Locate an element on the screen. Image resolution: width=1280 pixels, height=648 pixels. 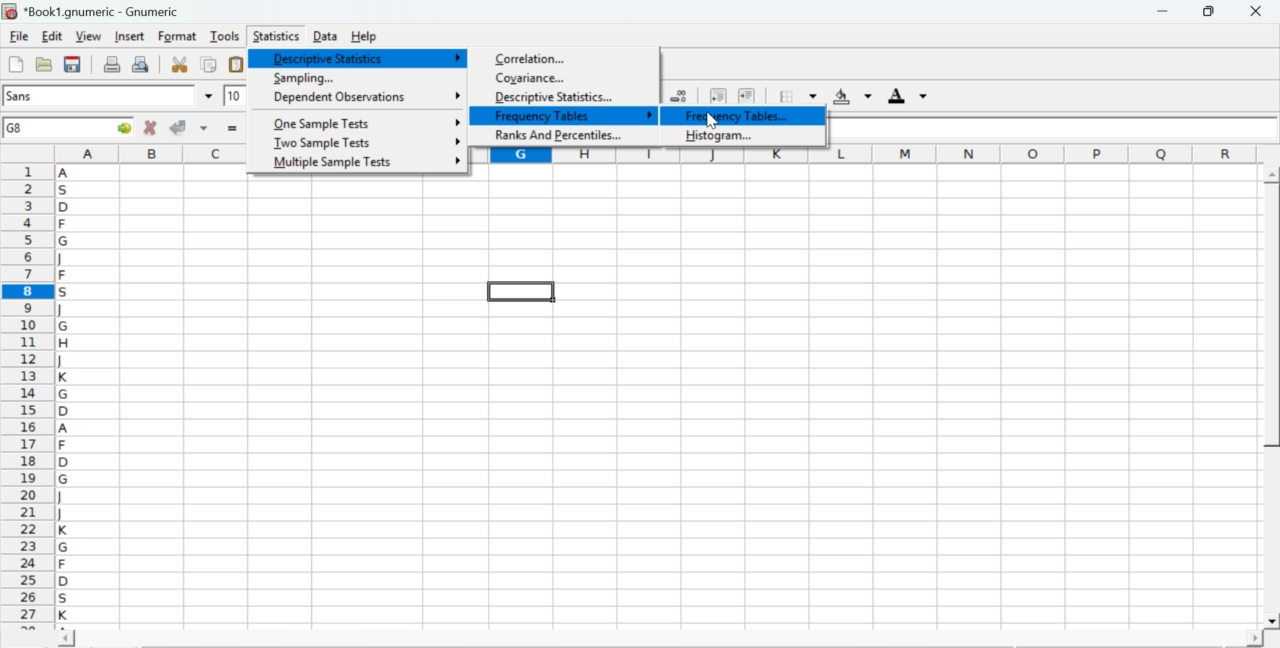
tools is located at coordinates (226, 35).